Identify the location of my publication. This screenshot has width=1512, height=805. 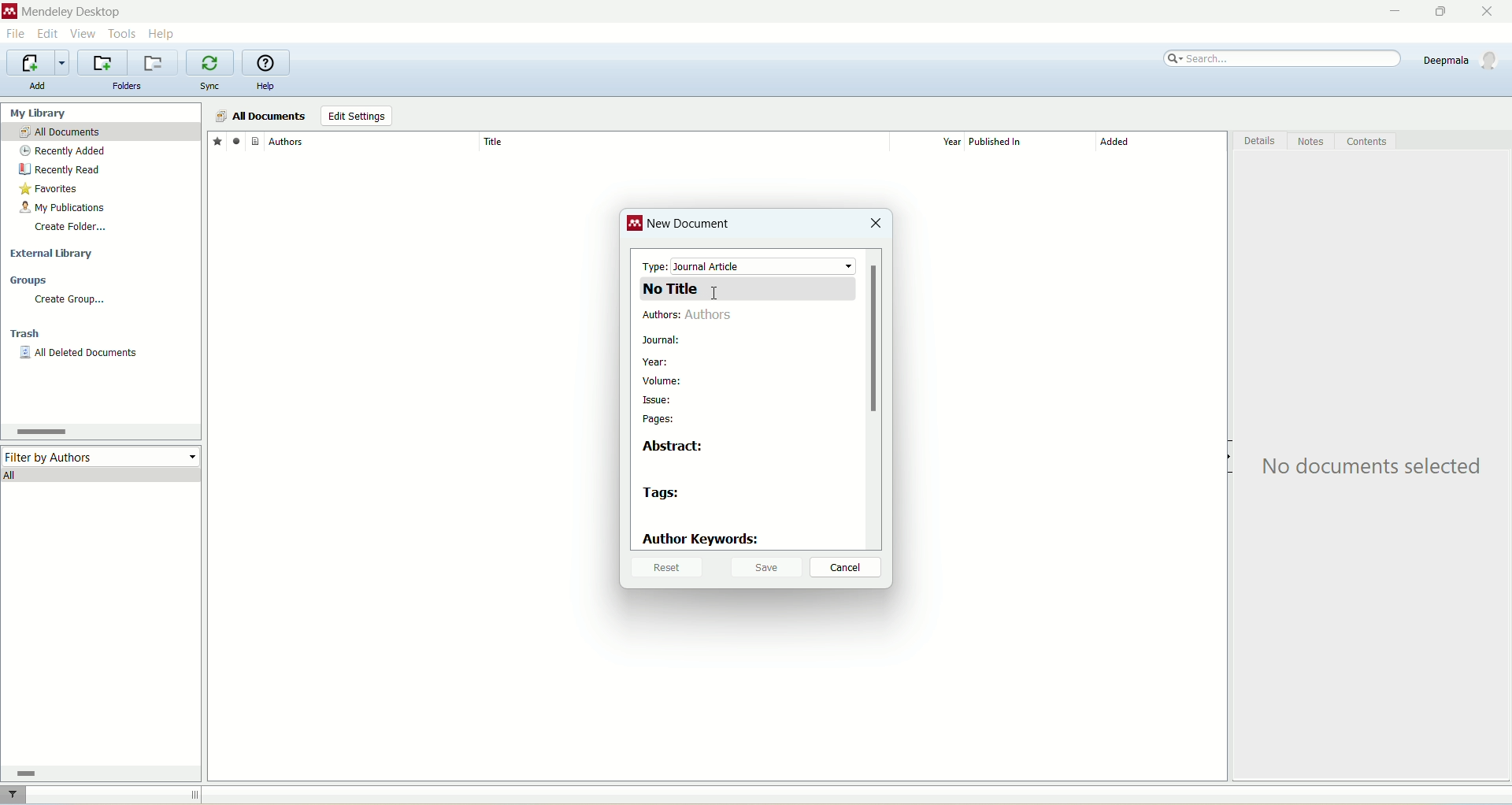
(65, 209).